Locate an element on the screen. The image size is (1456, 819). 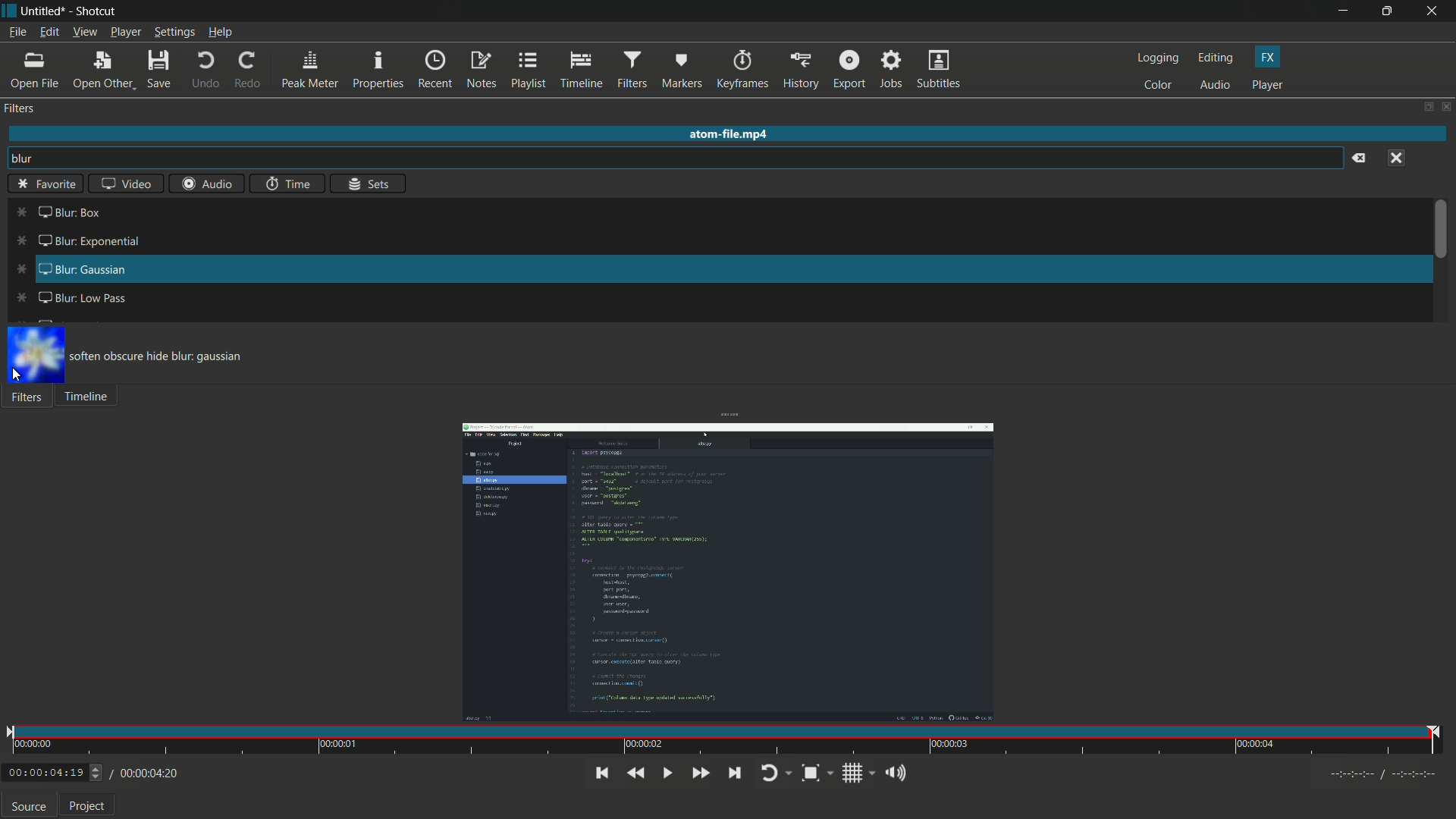
preview image is located at coordinates (38, 354).